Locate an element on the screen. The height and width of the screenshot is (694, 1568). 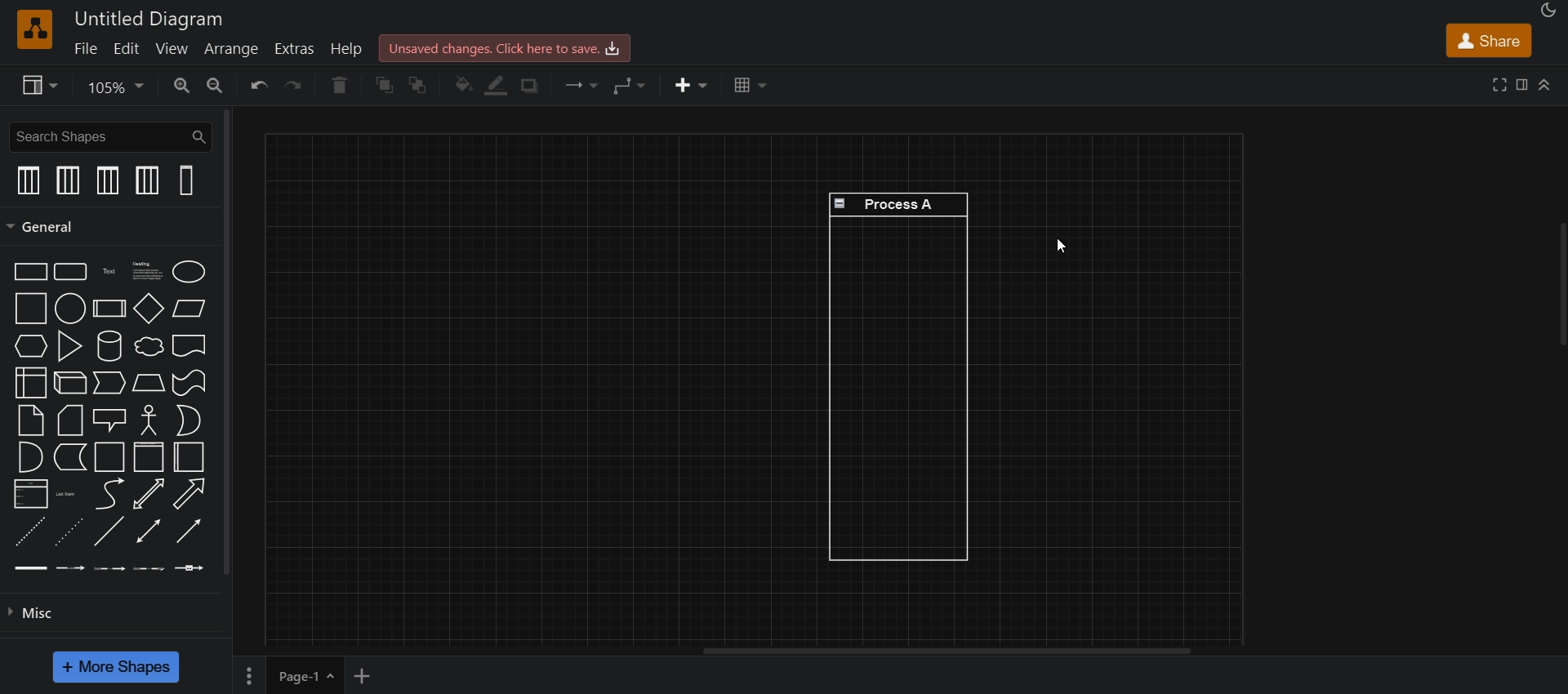
connector with 2 labels is located at coordinates (111, 568).